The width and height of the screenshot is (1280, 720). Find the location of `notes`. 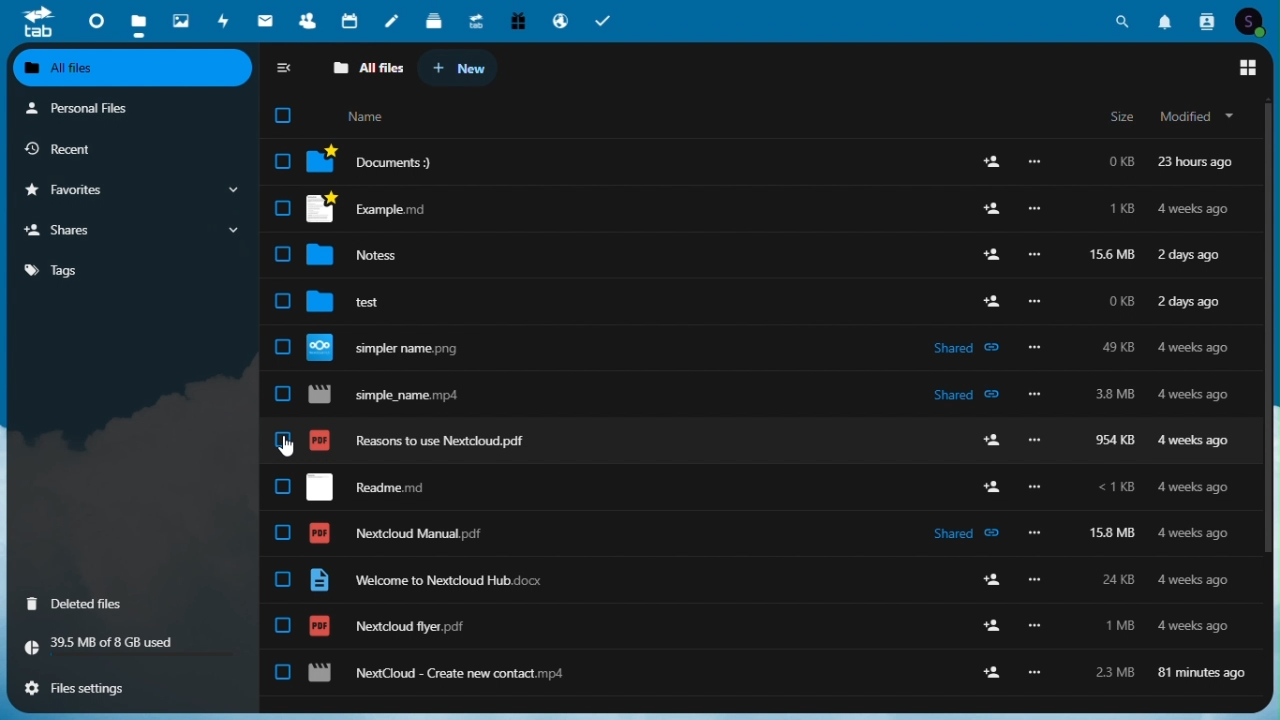

notes is located at coordinates (392, 22).